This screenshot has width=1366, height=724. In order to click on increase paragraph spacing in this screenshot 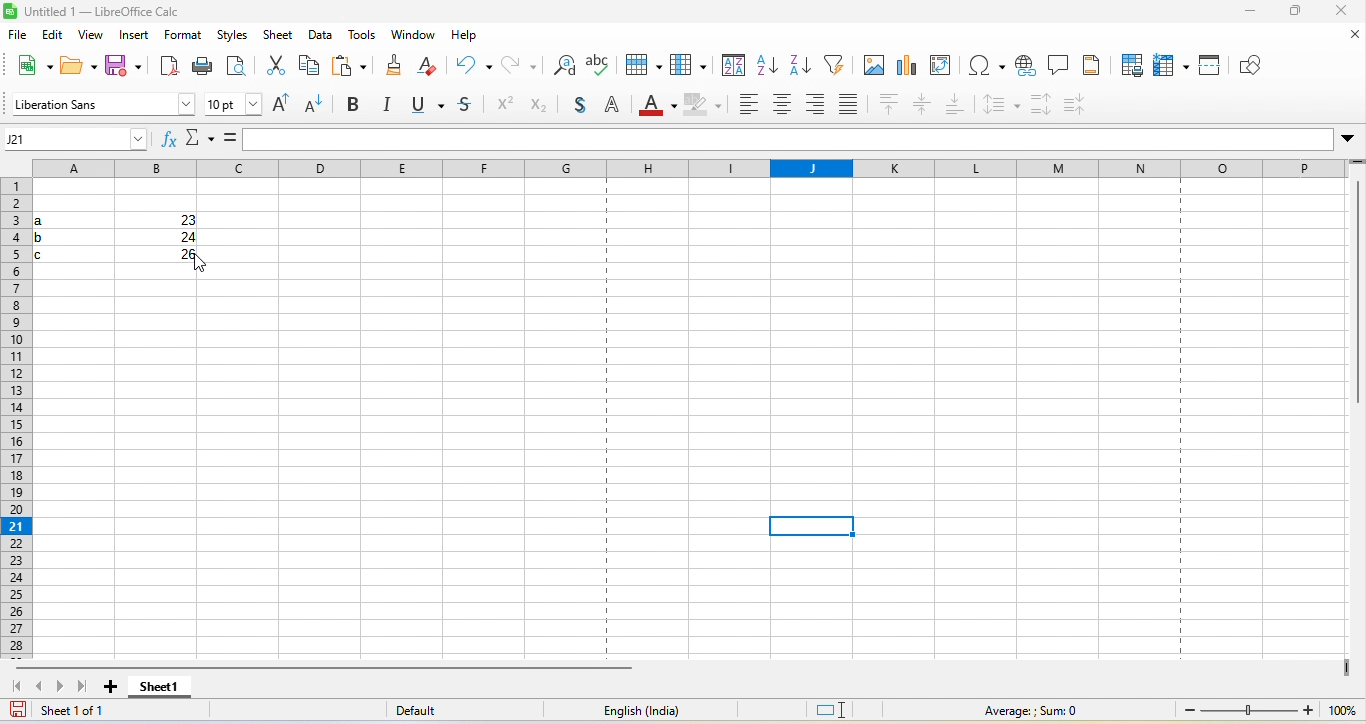, I will do `click(1041, 104)`.